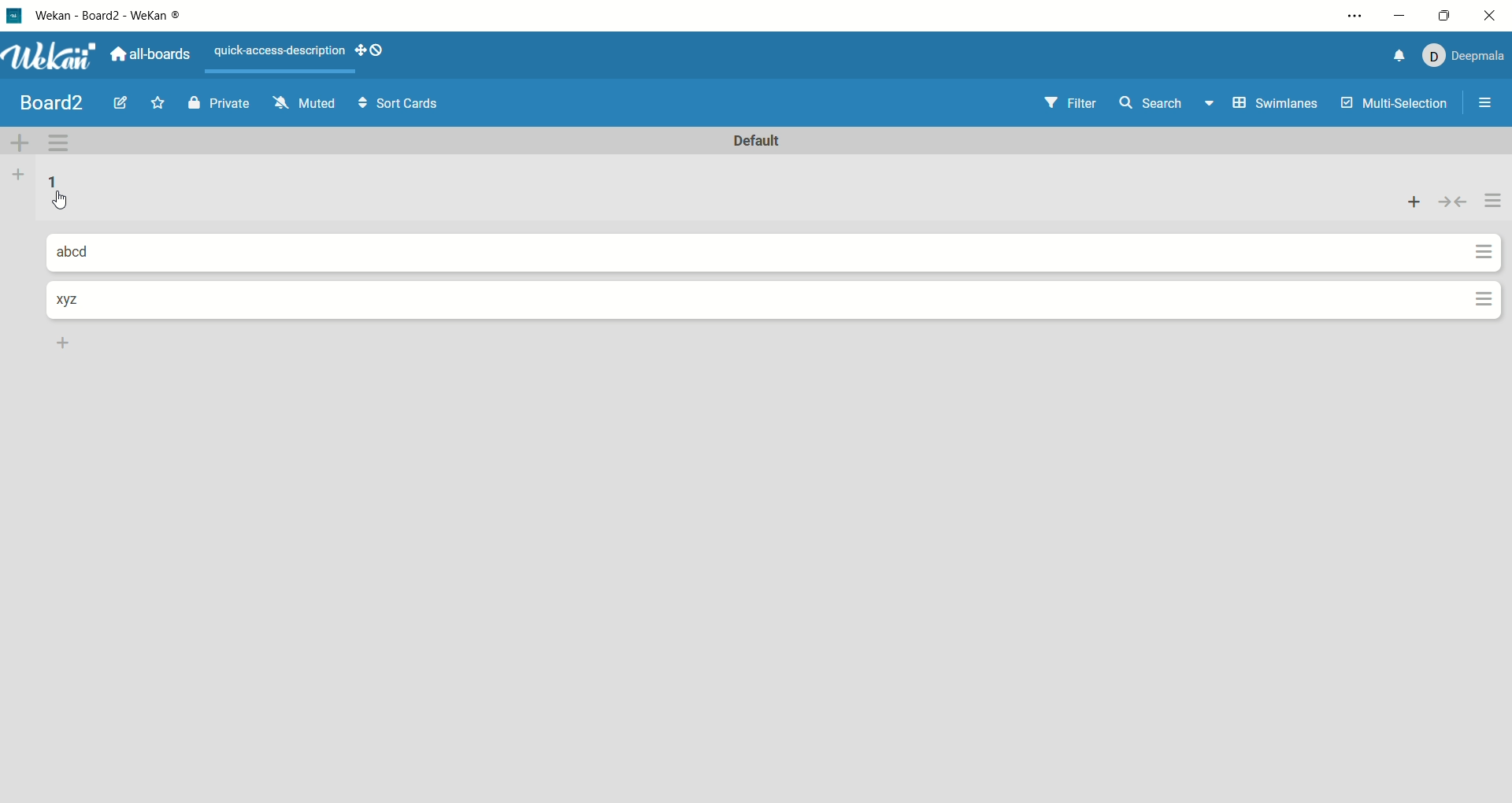 Image resolution: width=1512 pixels, height=803 pixels. What do you see at coordinates (1462, 54) in the screenshot?
I see `account` at bounding box center [1462, 54].